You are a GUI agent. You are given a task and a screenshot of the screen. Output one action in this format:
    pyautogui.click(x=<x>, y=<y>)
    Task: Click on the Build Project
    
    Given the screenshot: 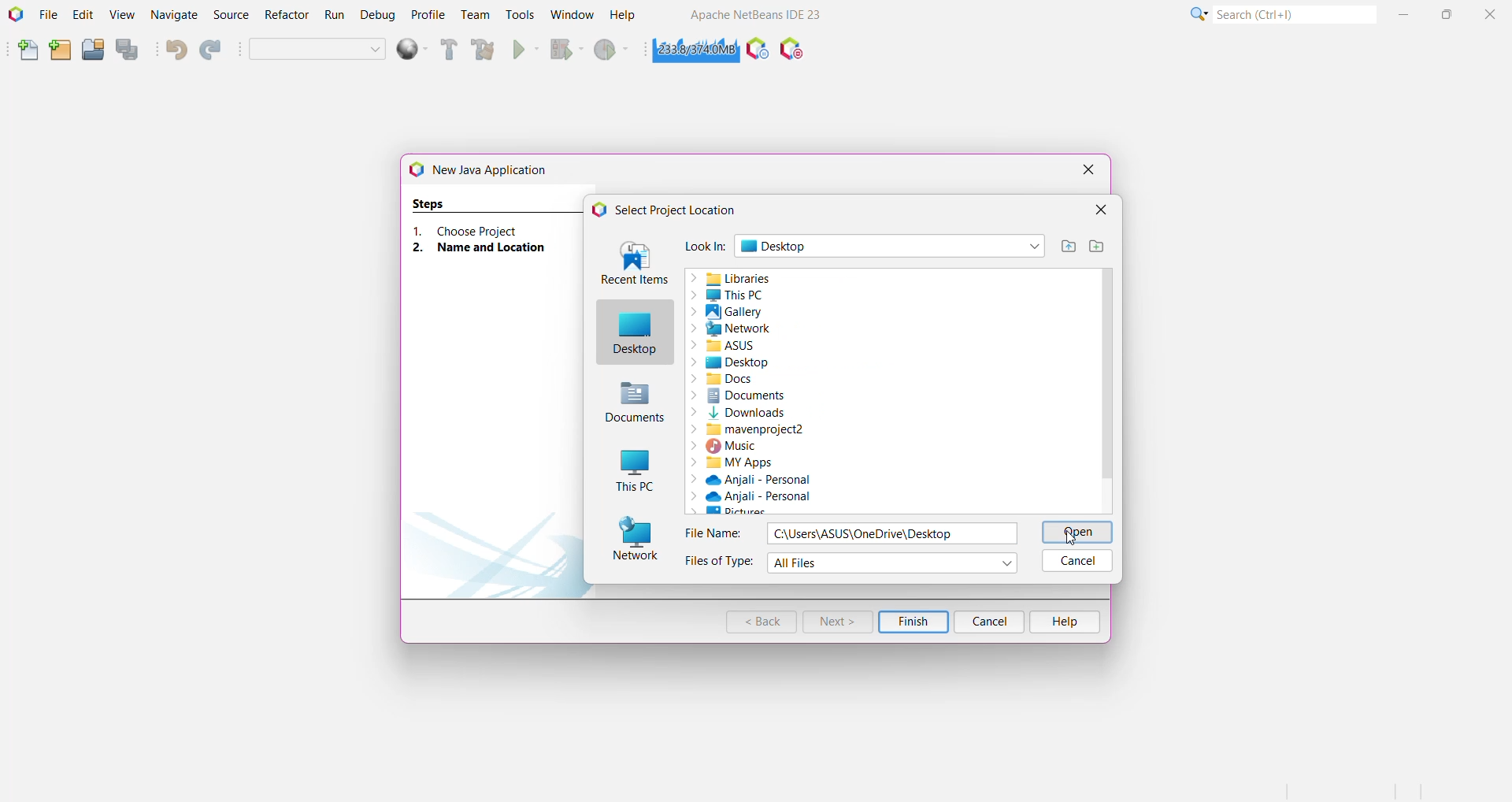 What is the action you would take?
    pyautogui.click(x=447, y=51)
    